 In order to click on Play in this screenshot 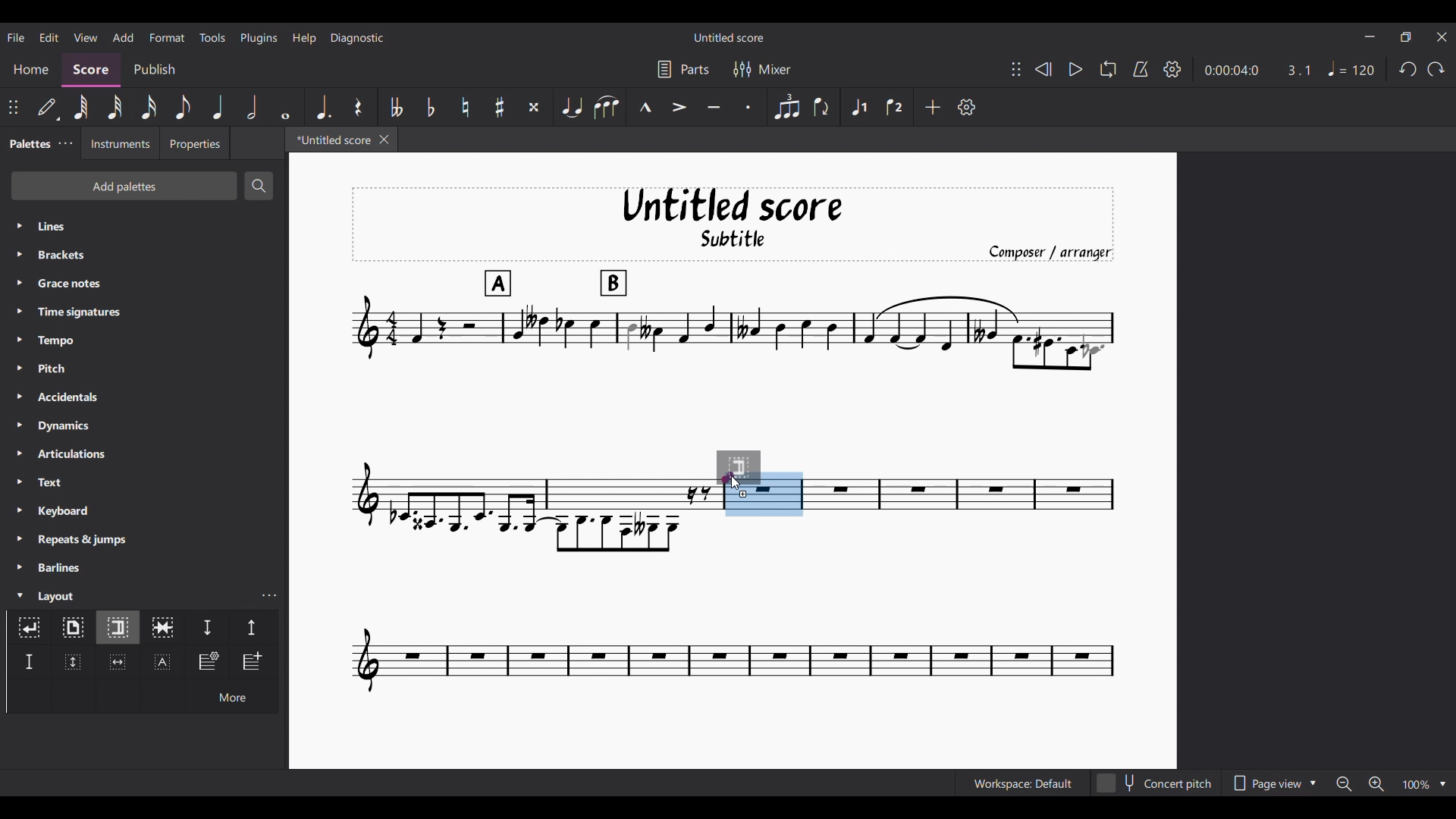, I will do `click(1075, 69)`.